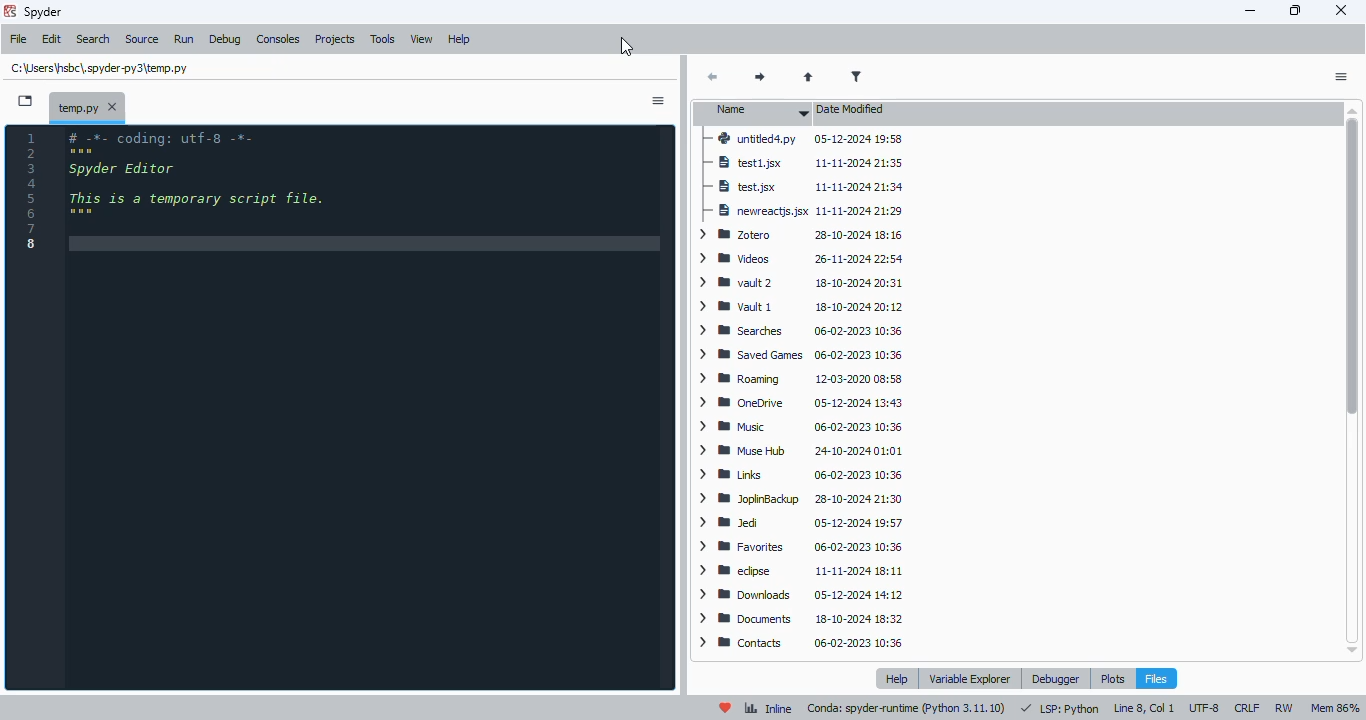  Describe the element at coordinates (760, 78) in the screenshot. I see `next` at that location.